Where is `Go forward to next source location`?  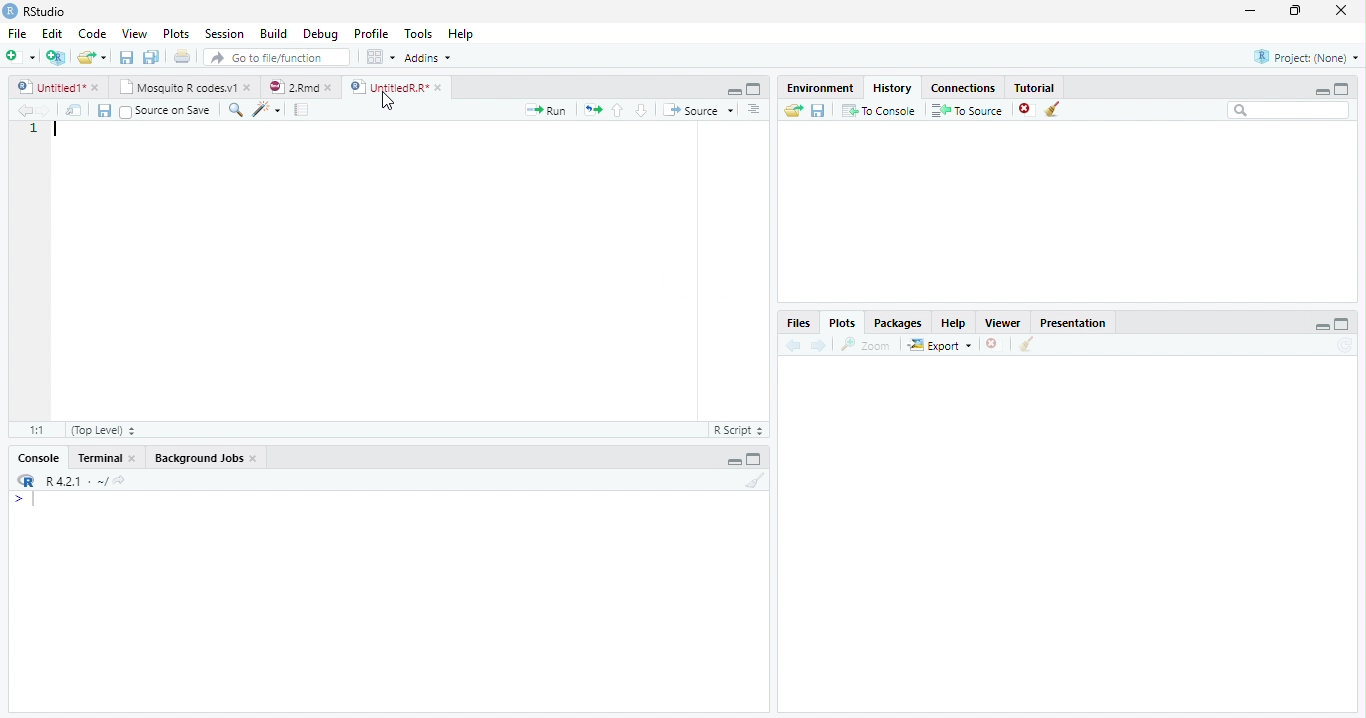 Go forward to next source location is located at coordinates (44, 111).